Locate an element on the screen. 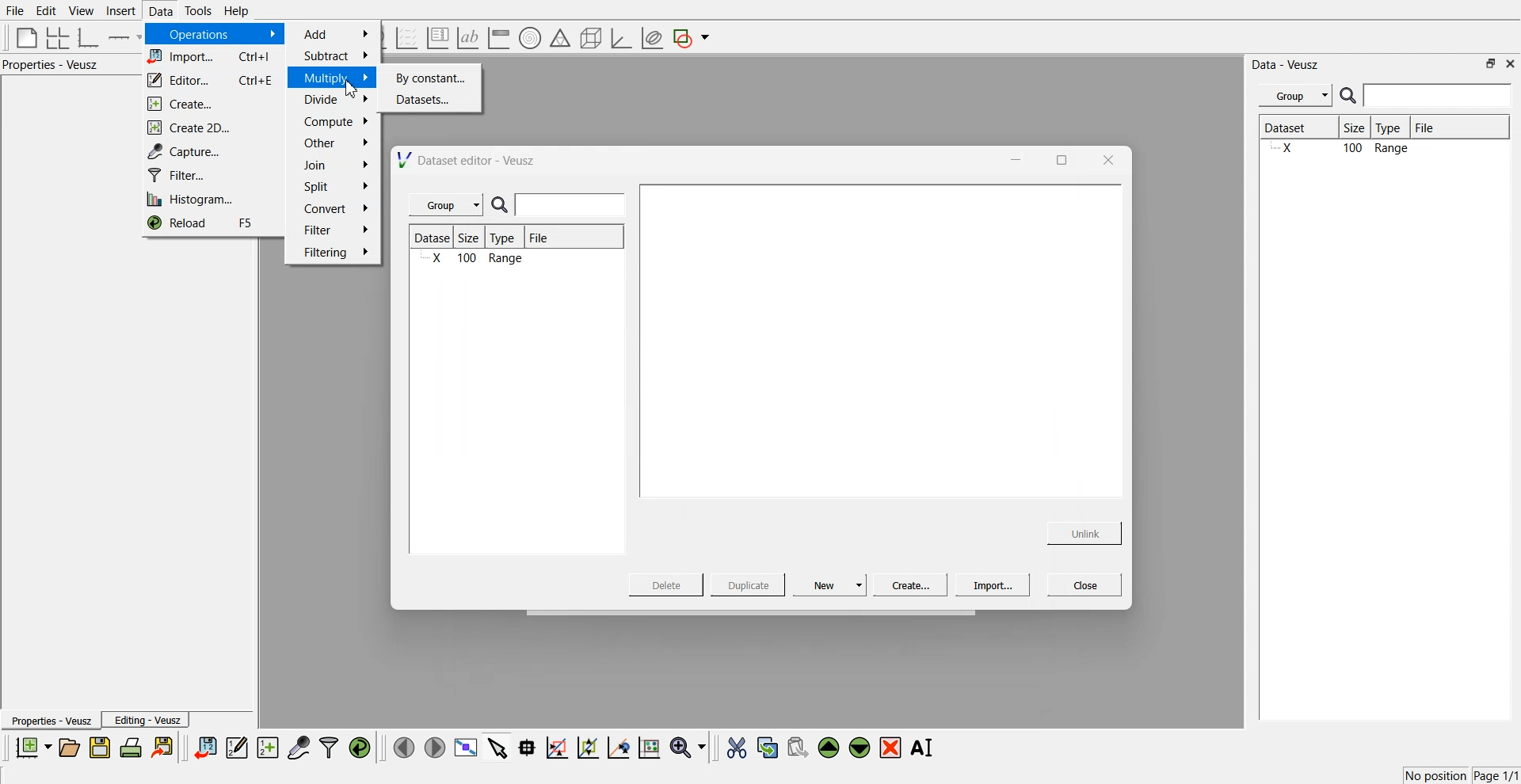 The width and height of the screenshot is (1521, 784). Reload FS is located at coordinates (211, 225).